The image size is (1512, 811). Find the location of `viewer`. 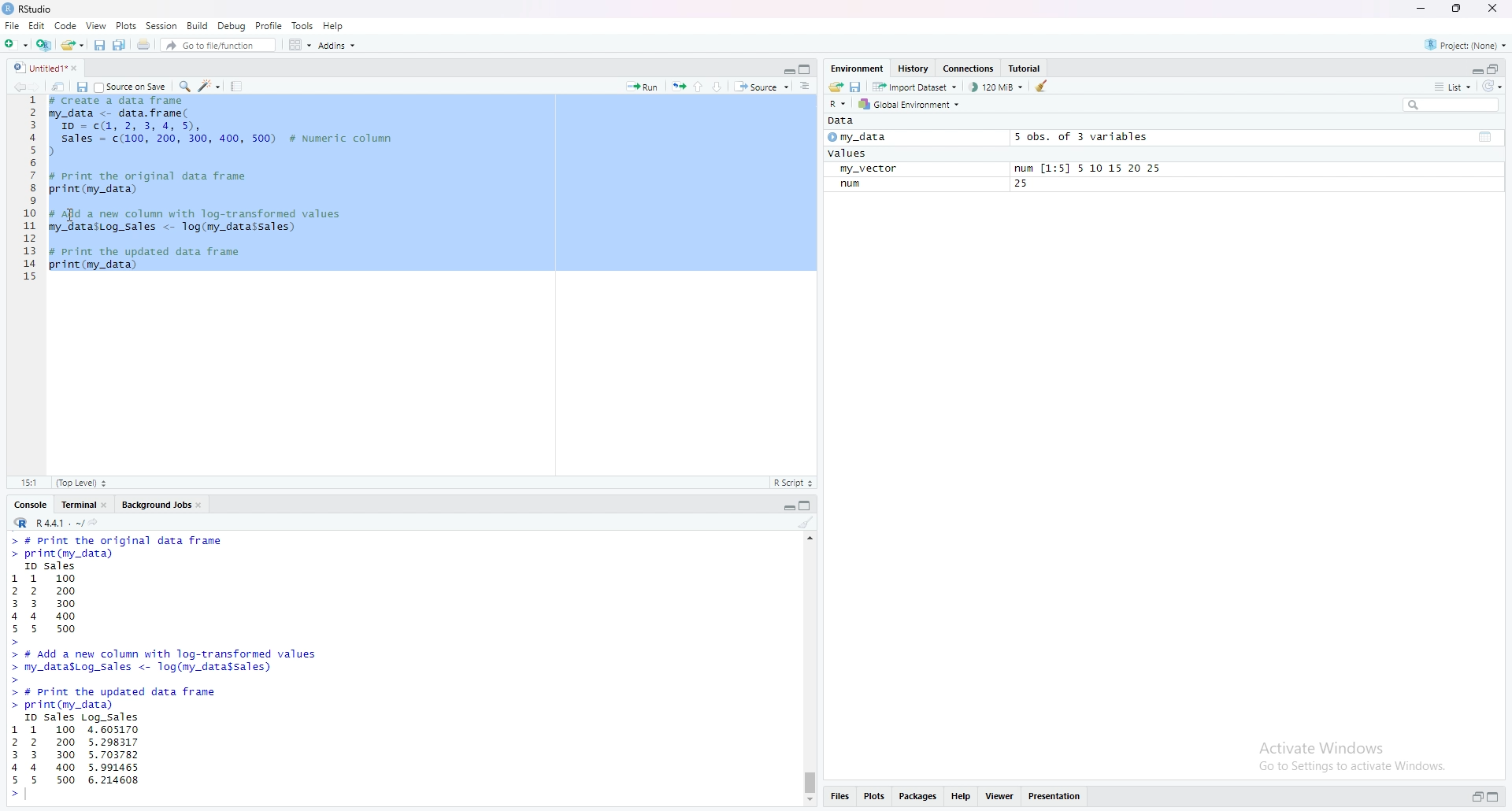

viewer is located at coordinates (1000, 798).